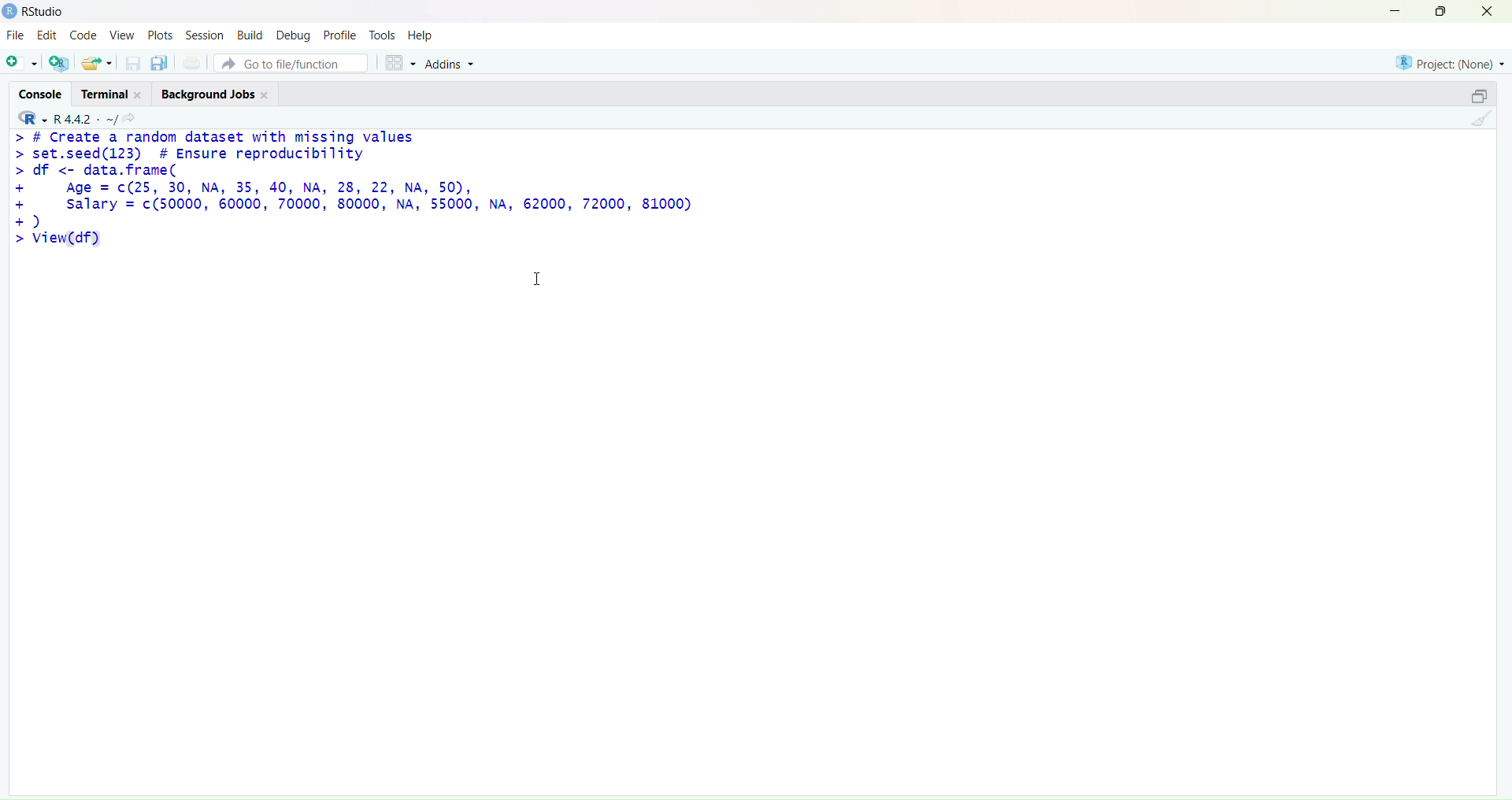  I want to click on maximize, so click(1435, 11).